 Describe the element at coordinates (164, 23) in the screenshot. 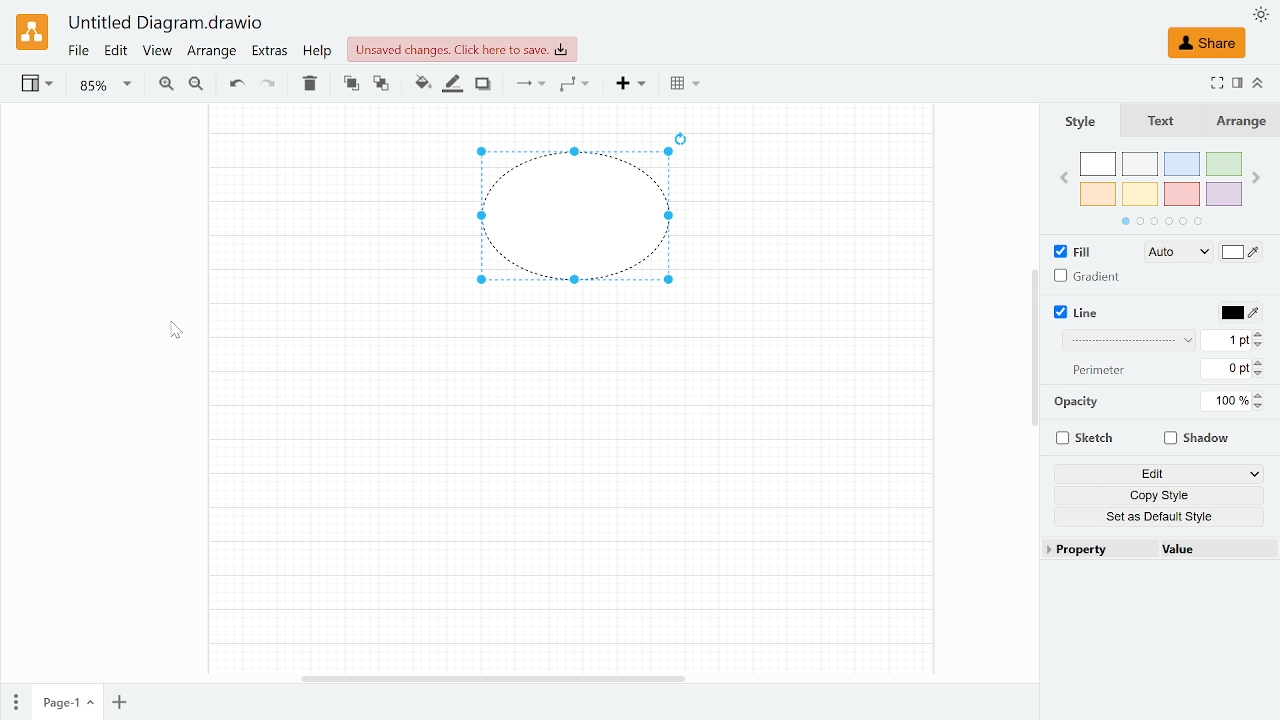

I see `Untitled Diagram.drawio` at that location.